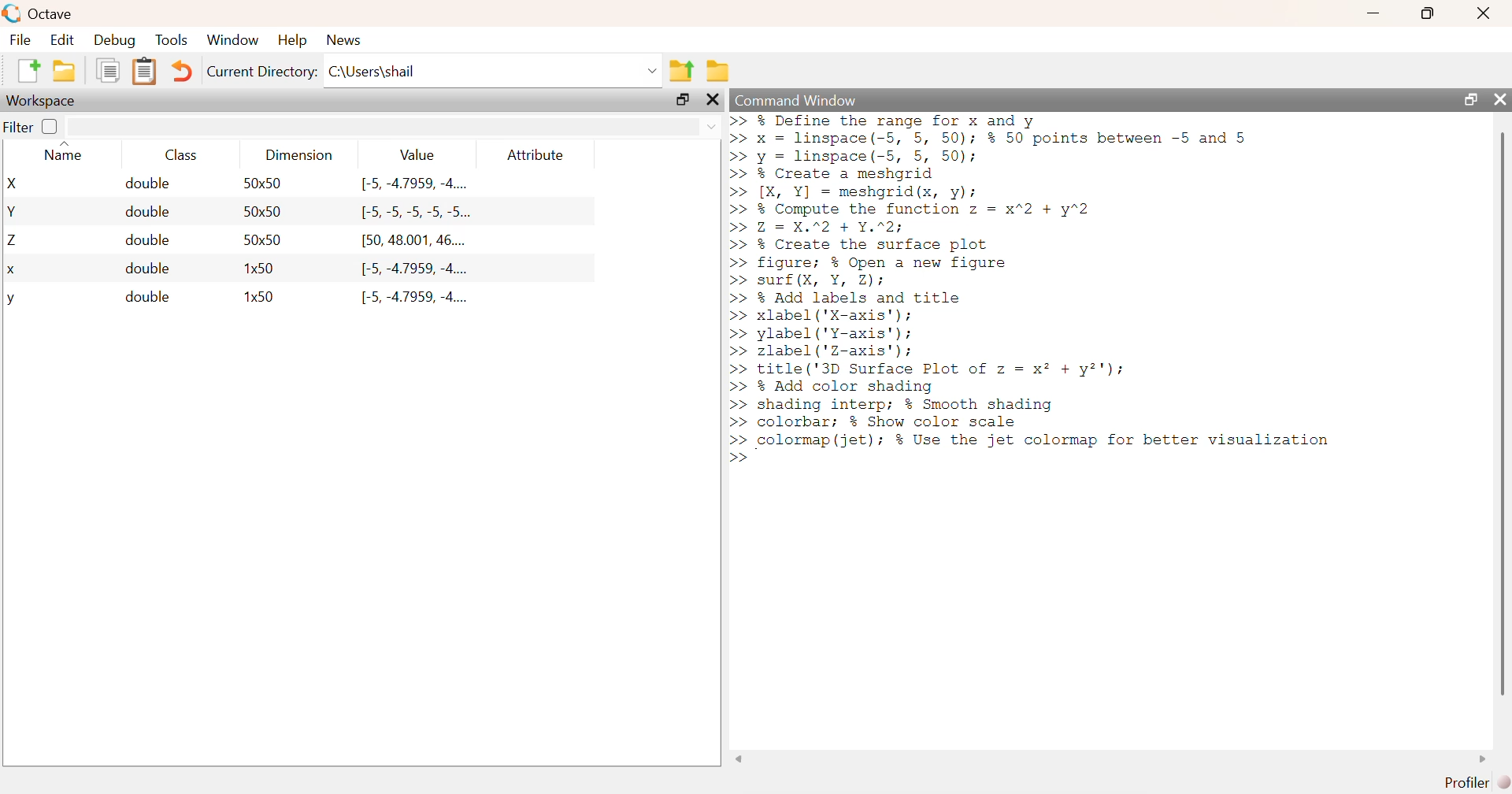 This screenshot has height=794, width=1512. Describe the element at coordinates (711, 126) in the screenshot. I see `dropdown` at that location.